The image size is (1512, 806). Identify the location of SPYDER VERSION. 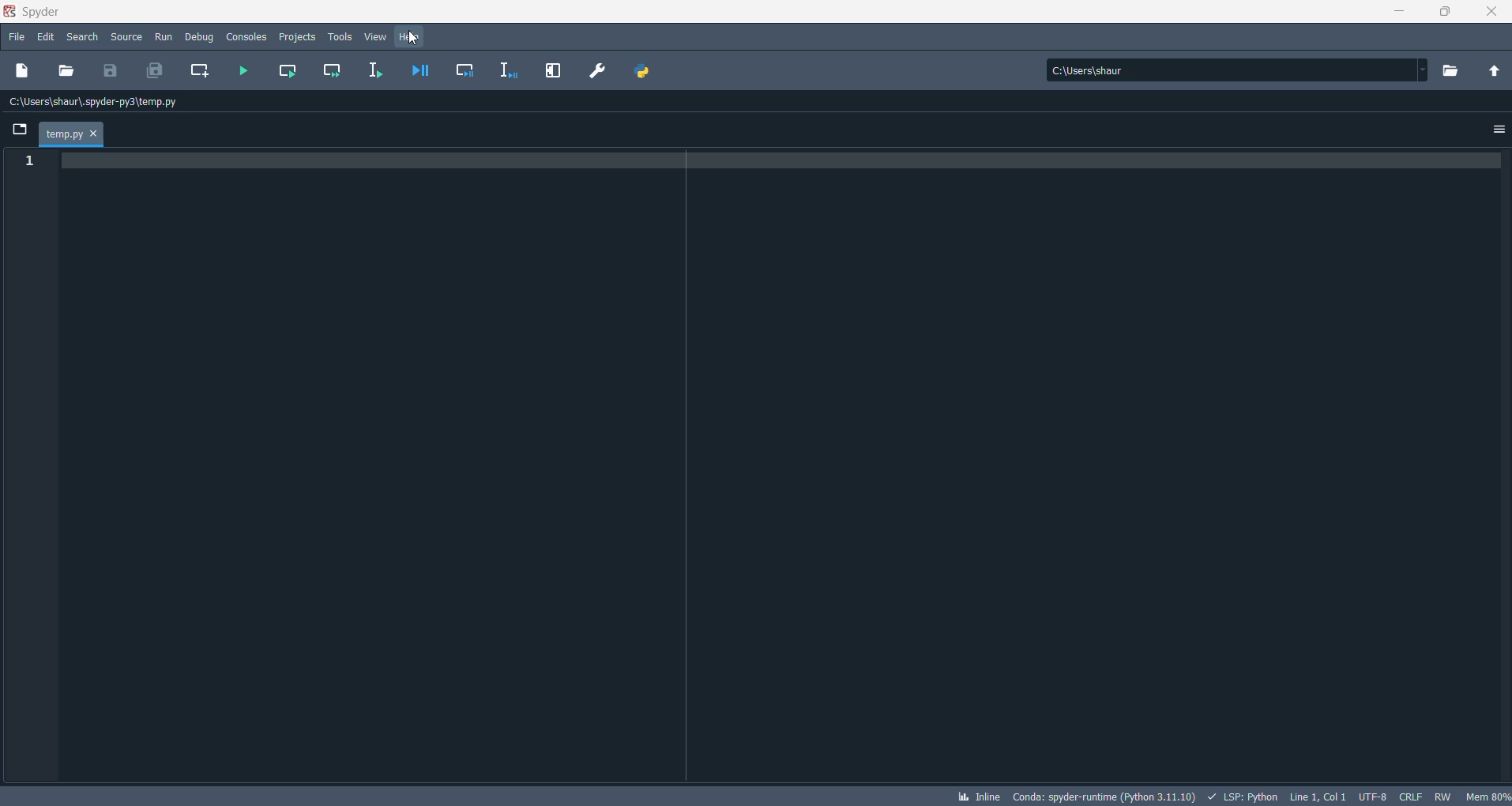
(1101, 796).